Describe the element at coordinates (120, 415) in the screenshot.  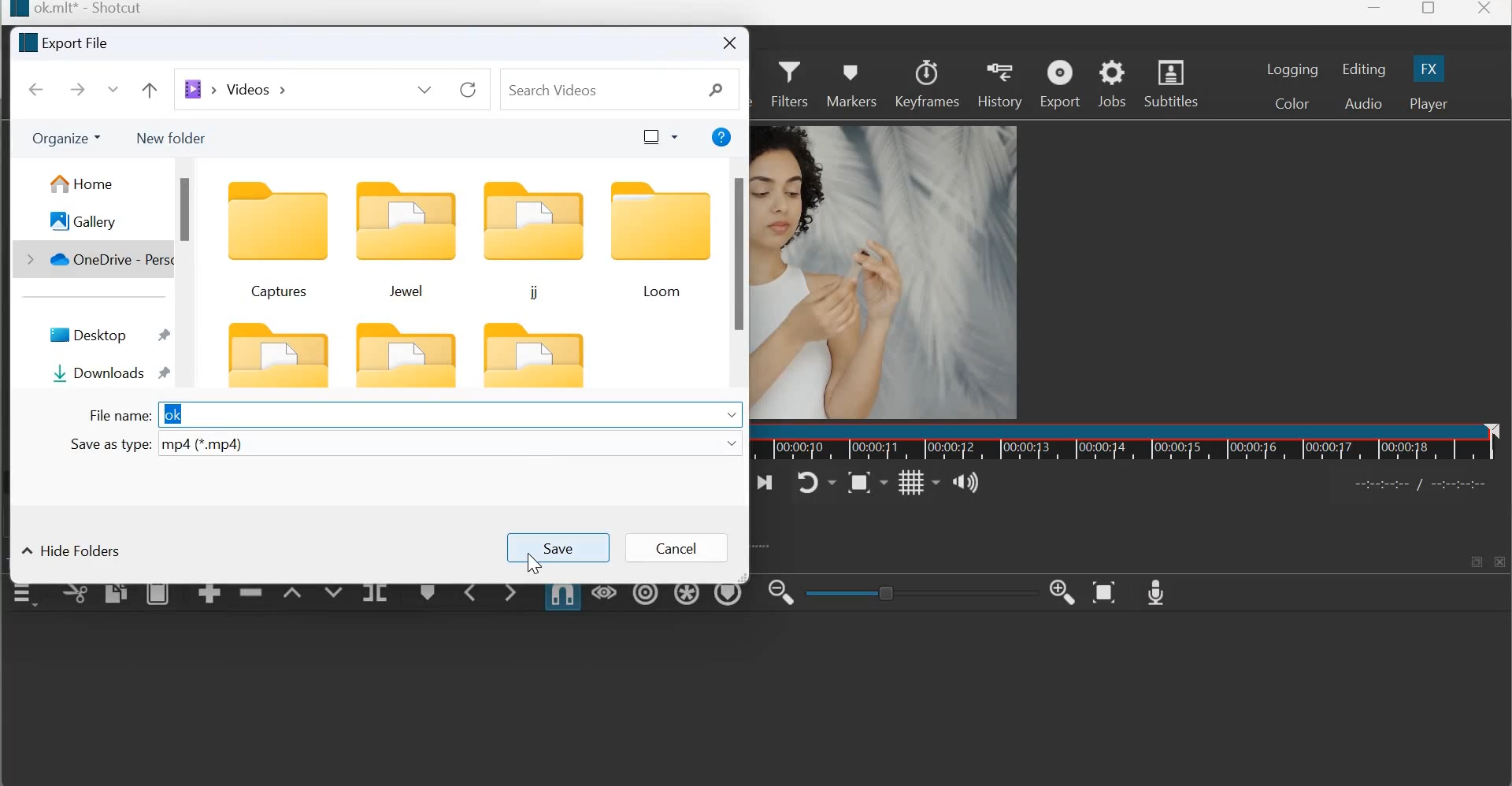
I see `File name:` at that location.